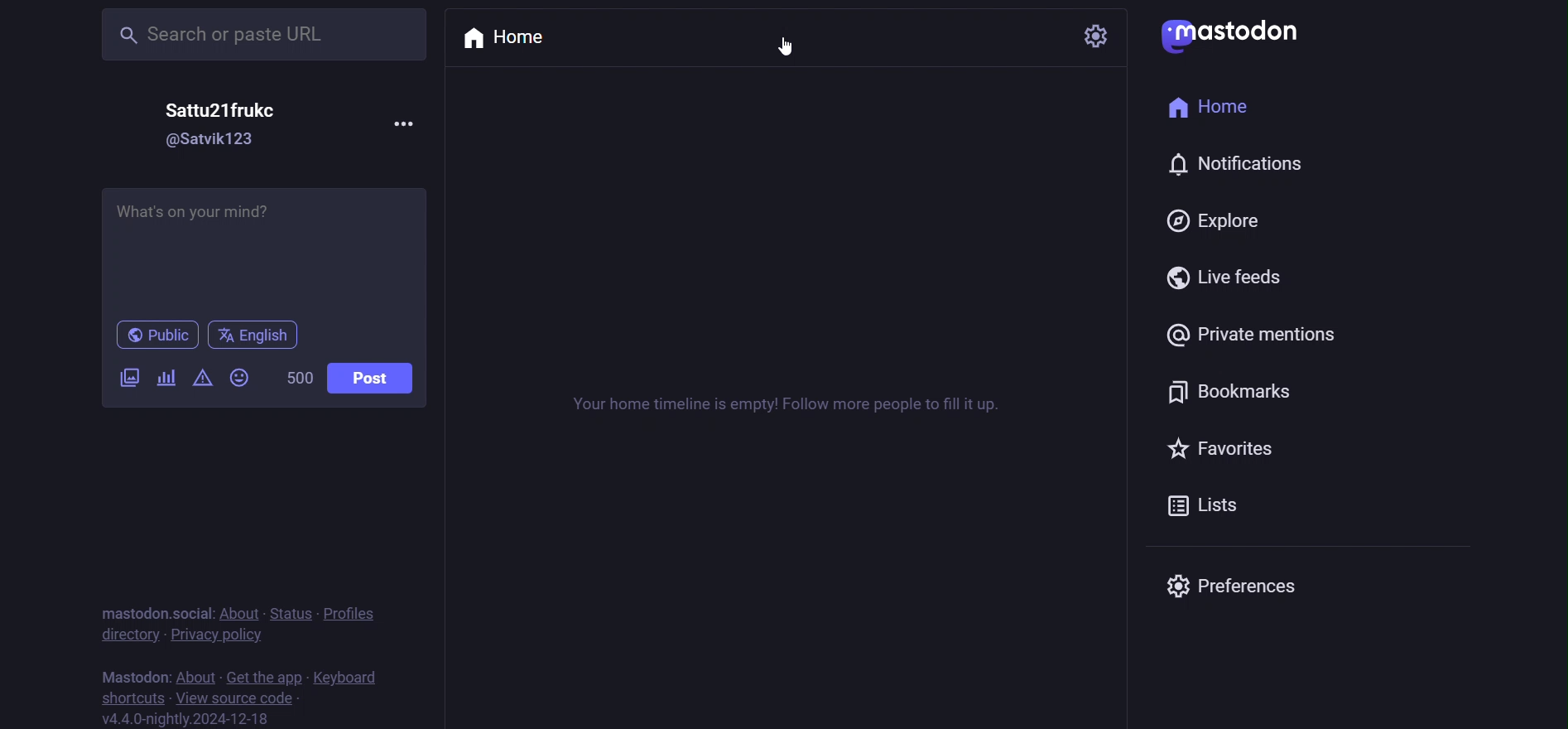 Image resolution: width=1568 pixels, height=729 pixels. Describe the element at coordinates (756, 404) in the screenshot. I see `timeline instruction` at that location.